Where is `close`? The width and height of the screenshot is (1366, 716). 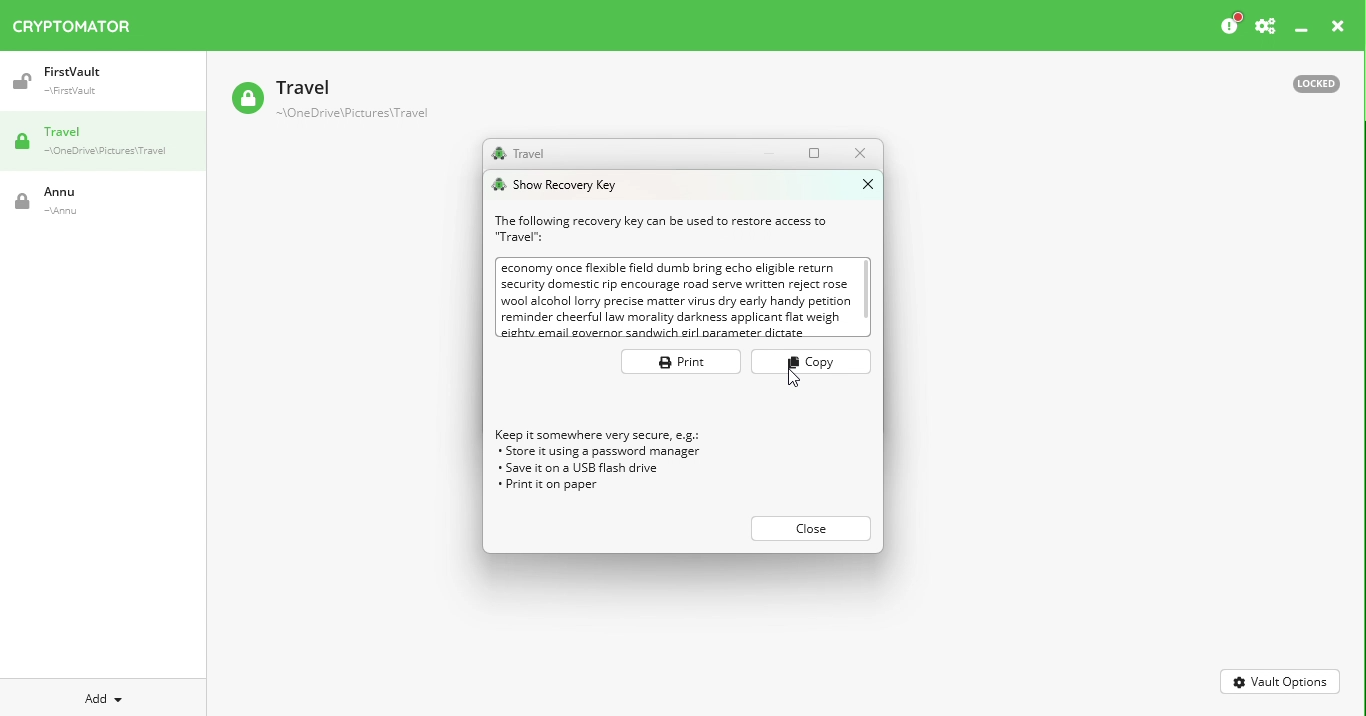
close is located at coordinates (810, 526).